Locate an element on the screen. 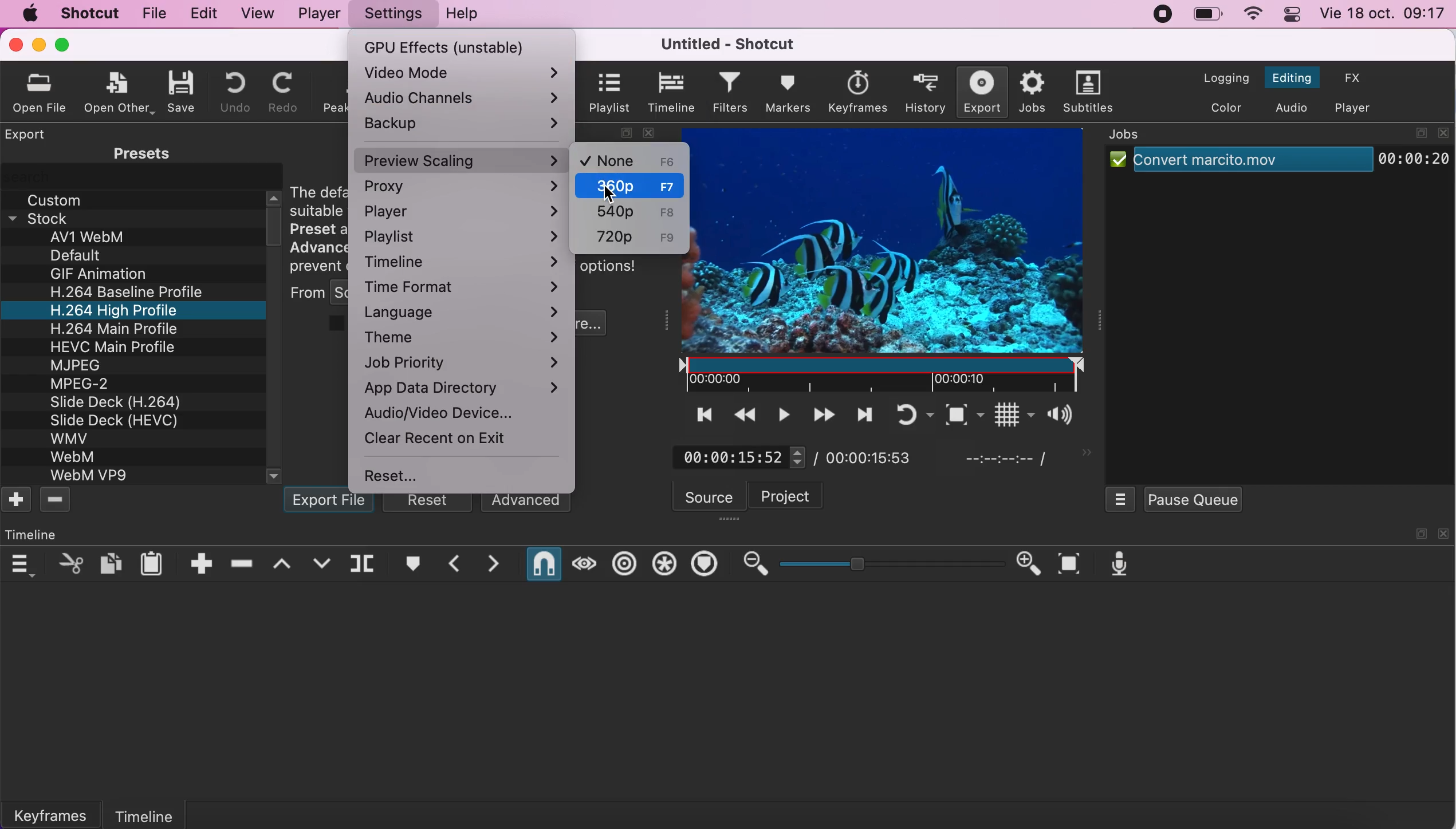 The height and width of the screenshot is (829, 1456). stock is located at coordinates (53, 217).